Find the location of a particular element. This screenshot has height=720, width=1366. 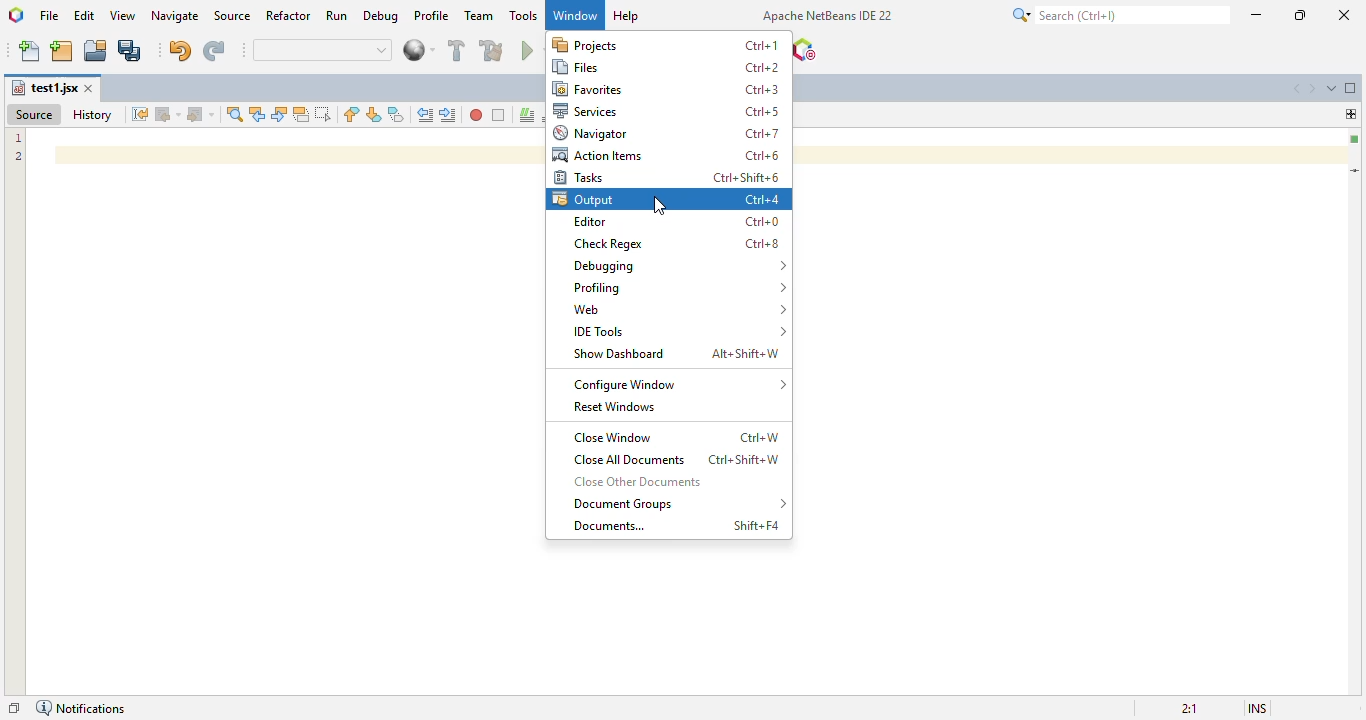

close is located at coordinates (90, 89).